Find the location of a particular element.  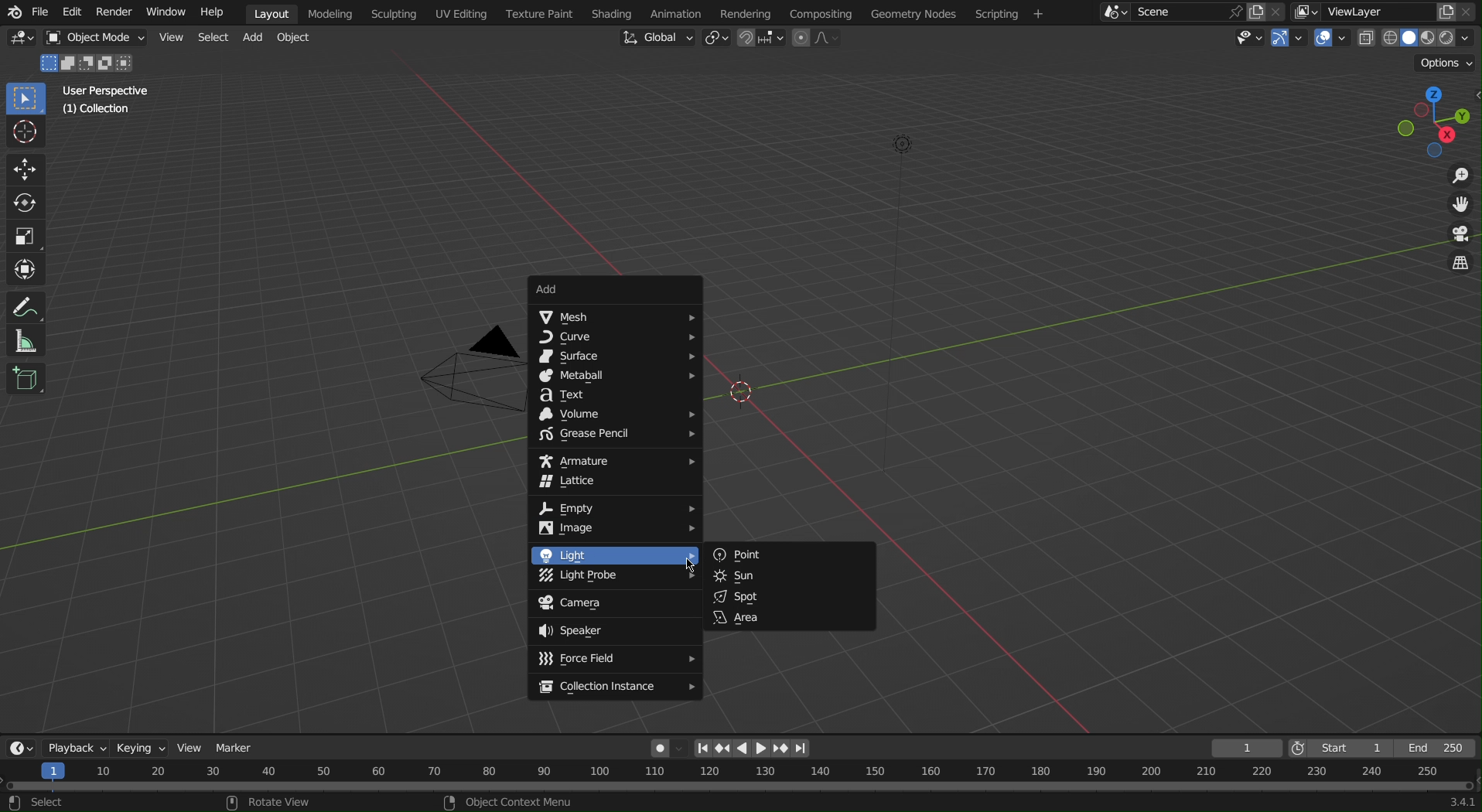

Select is located at coordinates (213, 37).